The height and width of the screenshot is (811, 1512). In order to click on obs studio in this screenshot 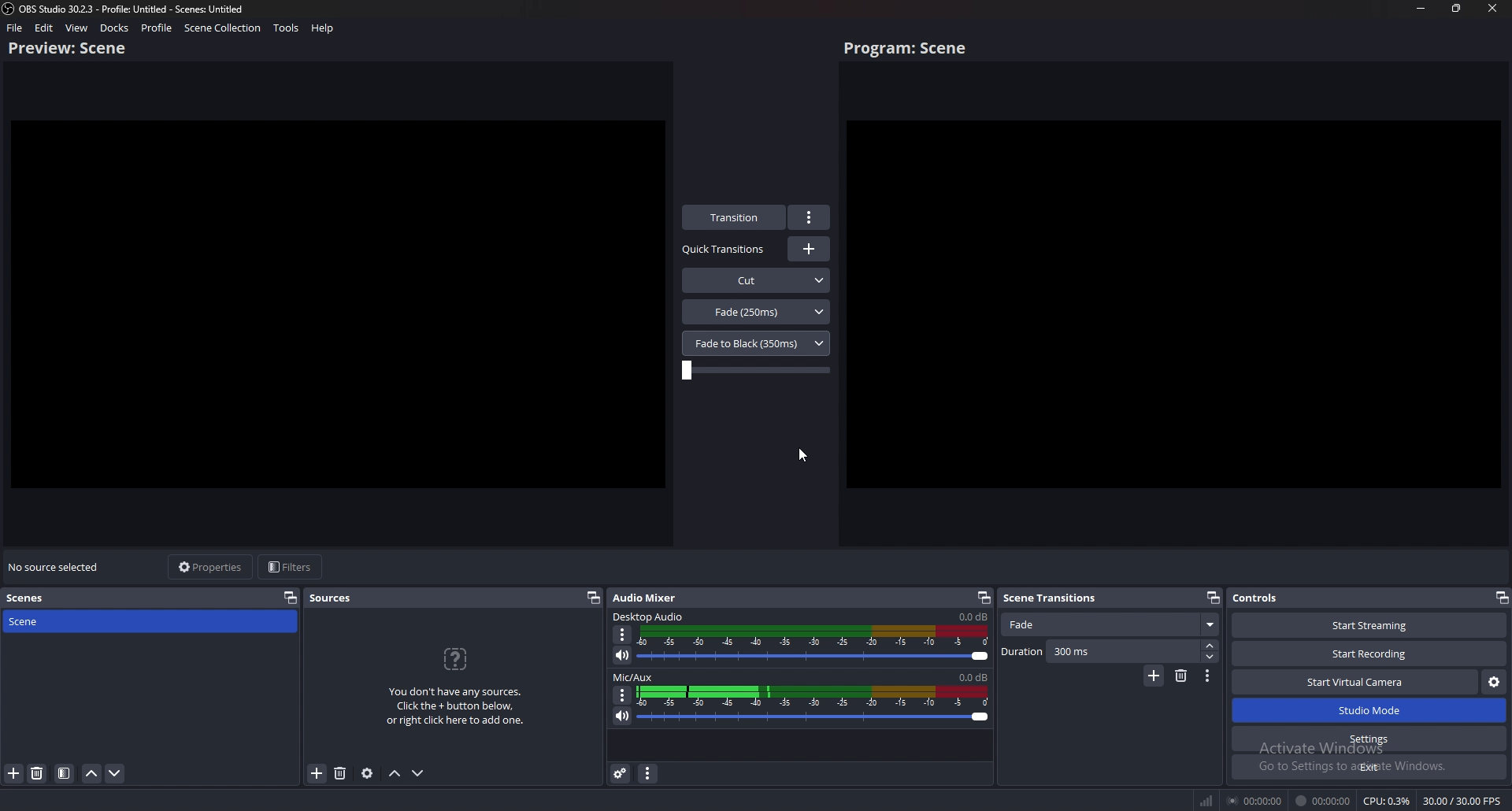, I will do `click(9, 9)`.